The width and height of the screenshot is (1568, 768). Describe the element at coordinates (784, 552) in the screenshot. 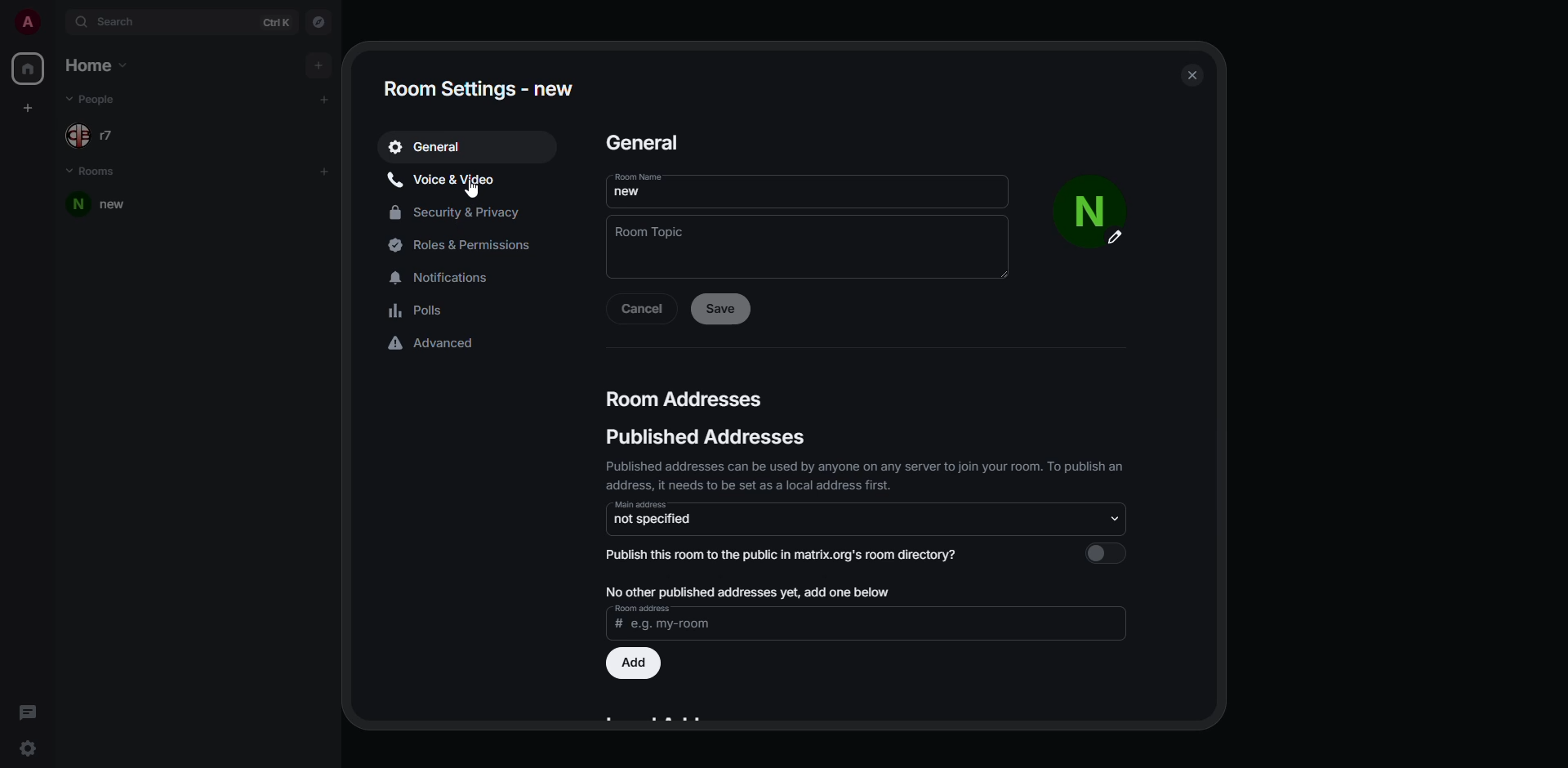

I see `publish this room to the public in matrix.org's room directory?` at that location.